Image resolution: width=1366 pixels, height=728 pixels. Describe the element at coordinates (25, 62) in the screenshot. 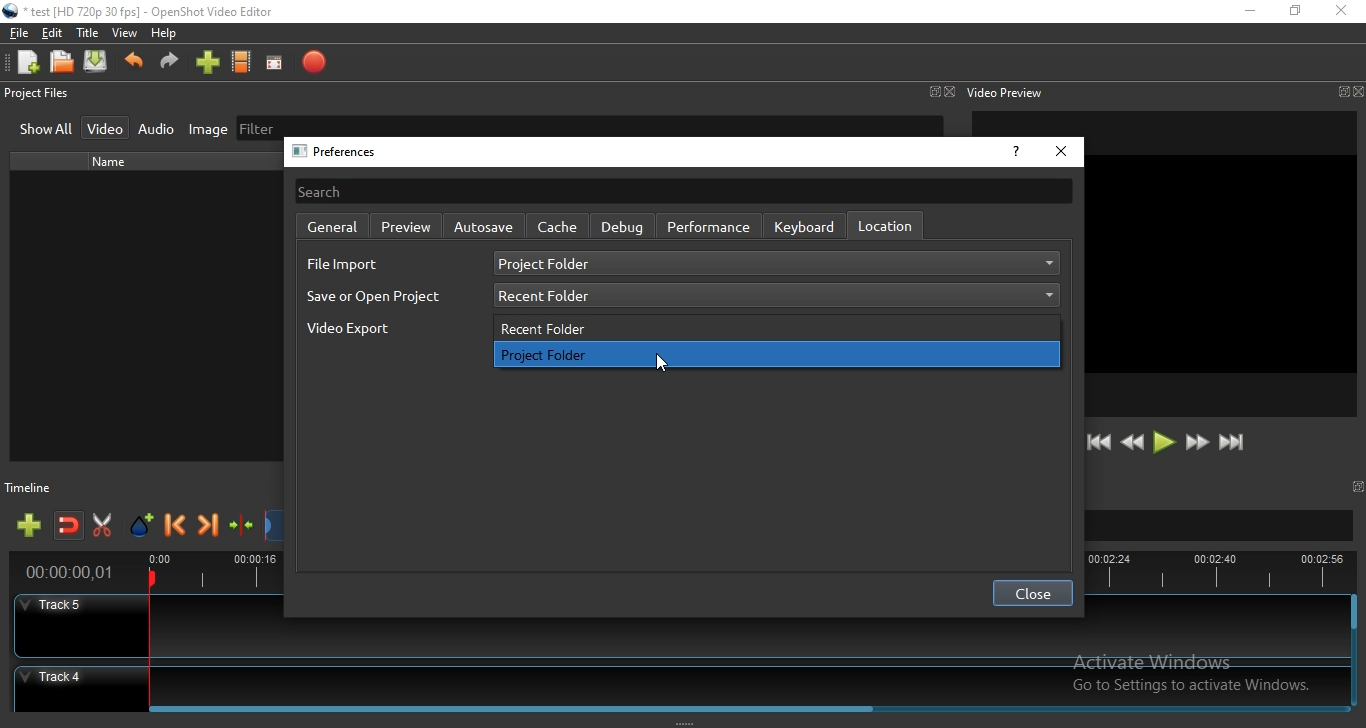

I see `New project` at that location.